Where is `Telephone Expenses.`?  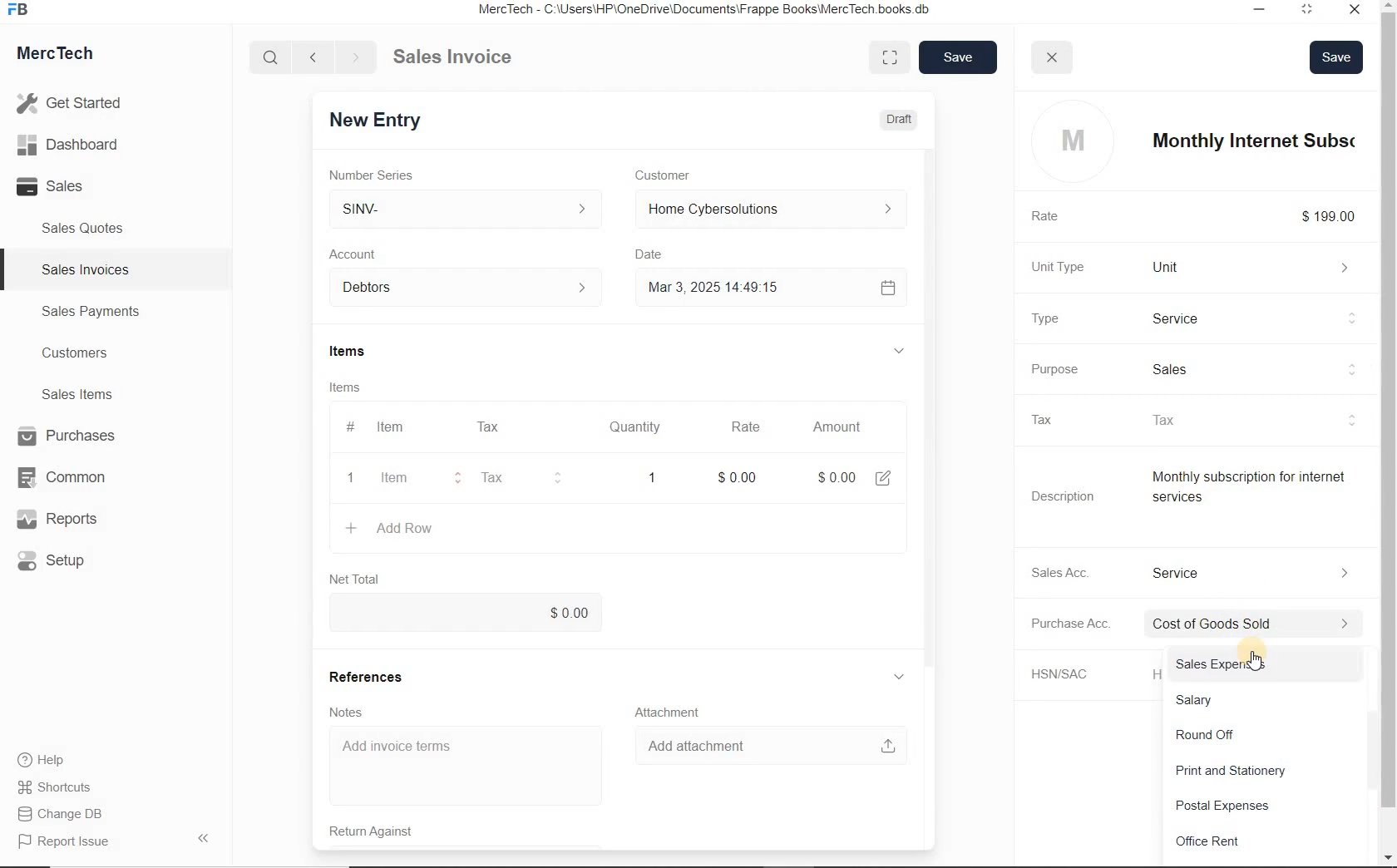 Telephone Expenses. is located at coordinates (1261, 845).